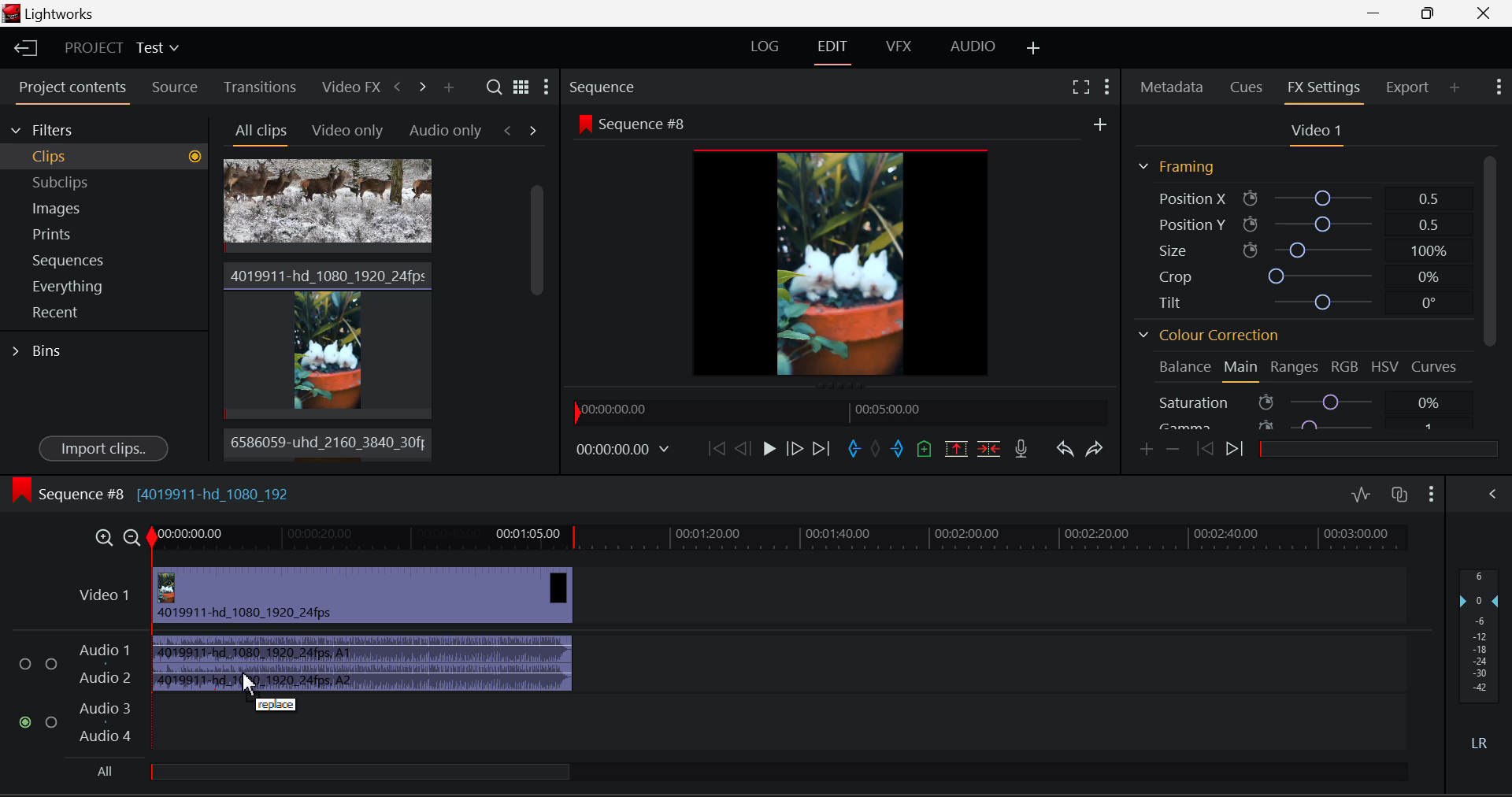 The width and height of the screenshot is (1512, 797). What do you see at coordinates (1360, 494) in the screenshot?
I see `Toggle audio levels editing` at bounding box center [1360, 494].